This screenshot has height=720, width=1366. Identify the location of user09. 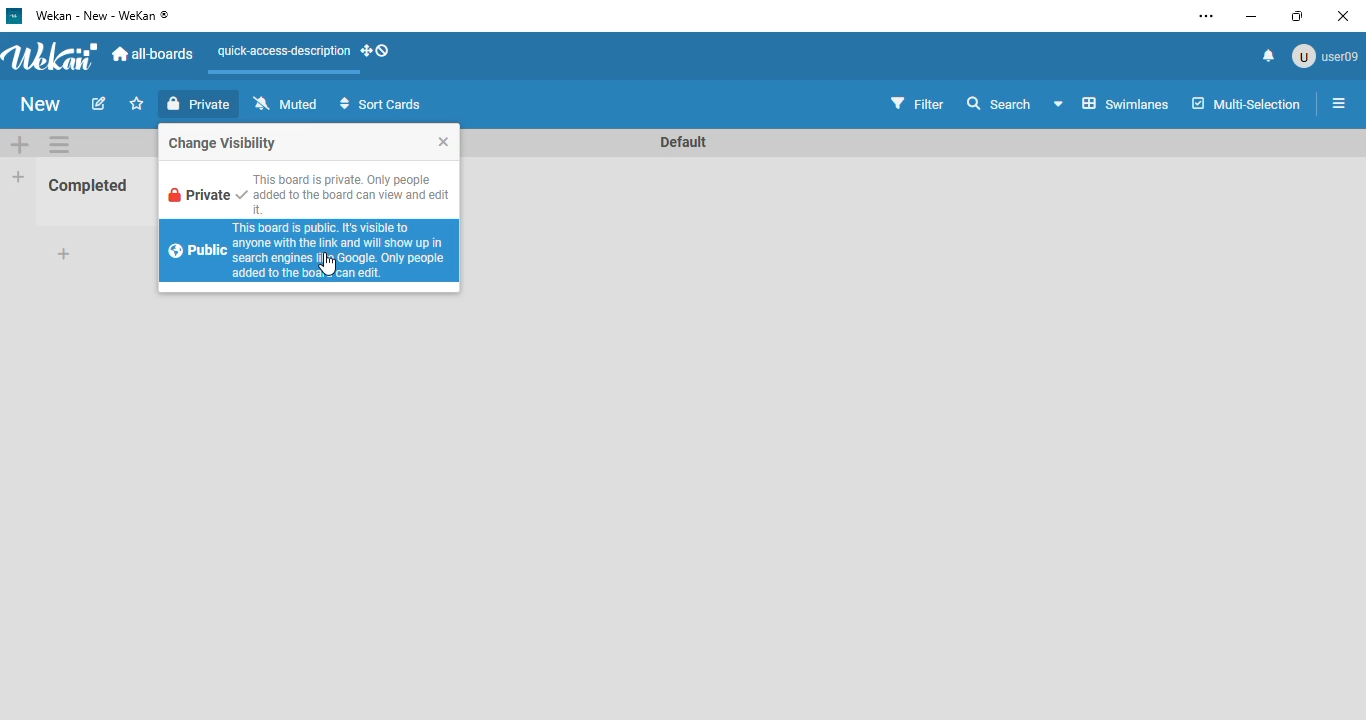
(1324, 57).